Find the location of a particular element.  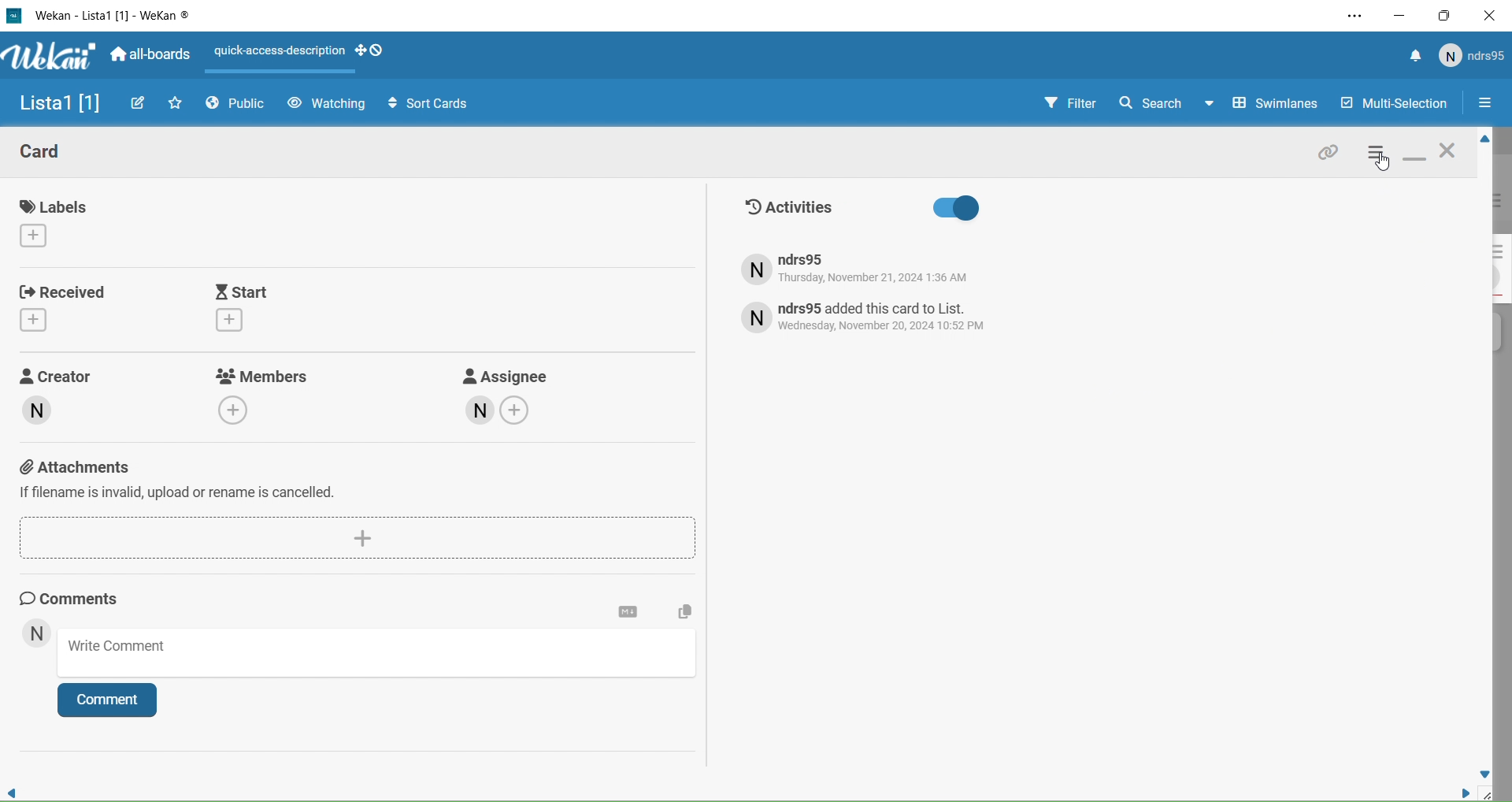

Labels is located at coordinates (50, 222).